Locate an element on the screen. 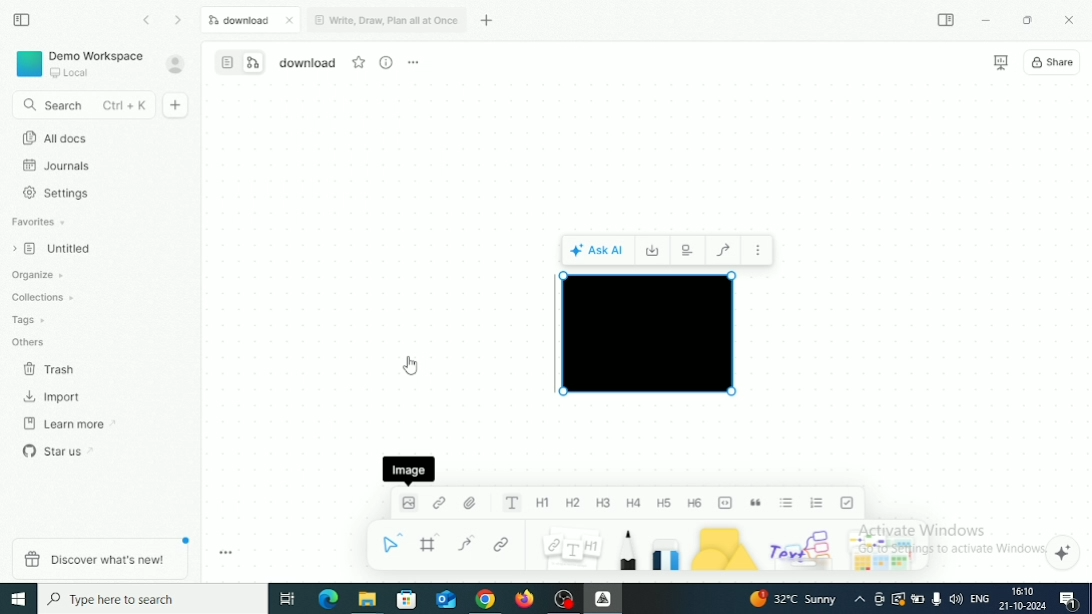 The width and height of the screenshot is (1092, 614). Temperature is located at coordinates (793, 598).